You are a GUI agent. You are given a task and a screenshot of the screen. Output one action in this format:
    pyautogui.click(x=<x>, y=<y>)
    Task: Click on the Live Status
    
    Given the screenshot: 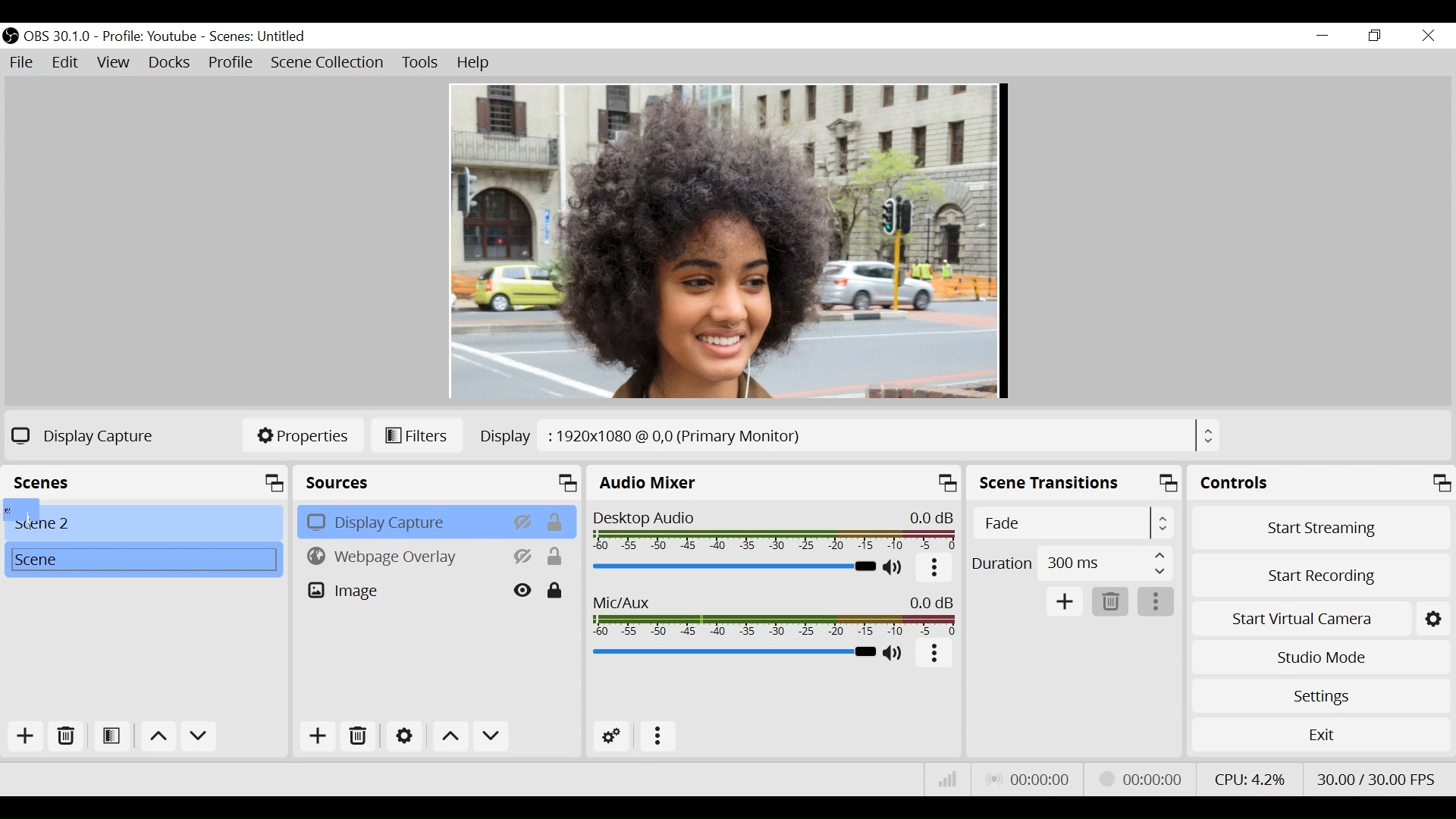 What is the action you would take?
    pyautogui.click(x=1031, y=777)
    